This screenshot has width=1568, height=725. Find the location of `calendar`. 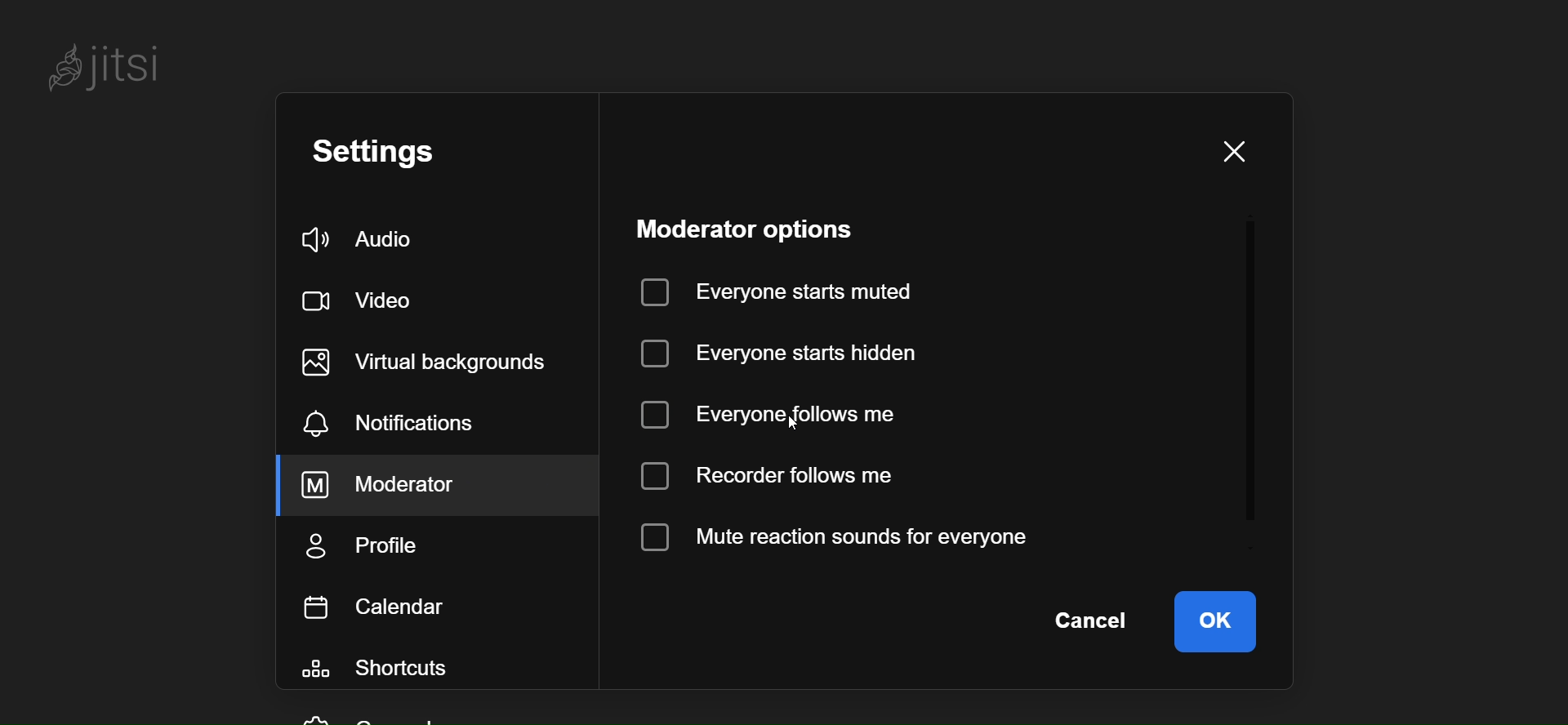

calendar is located at coordinates (380, 607).